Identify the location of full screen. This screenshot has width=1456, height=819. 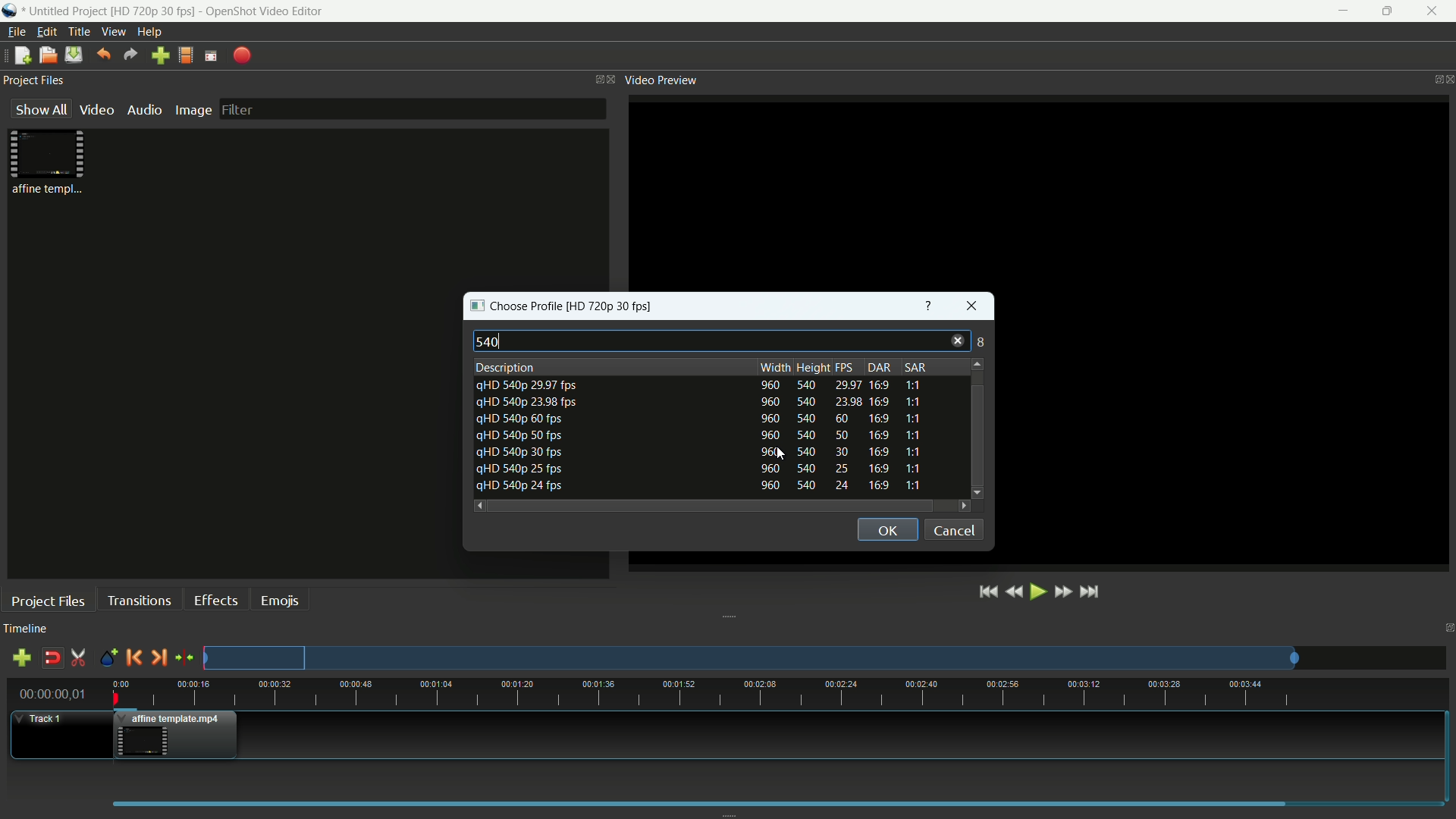
(212, 57).